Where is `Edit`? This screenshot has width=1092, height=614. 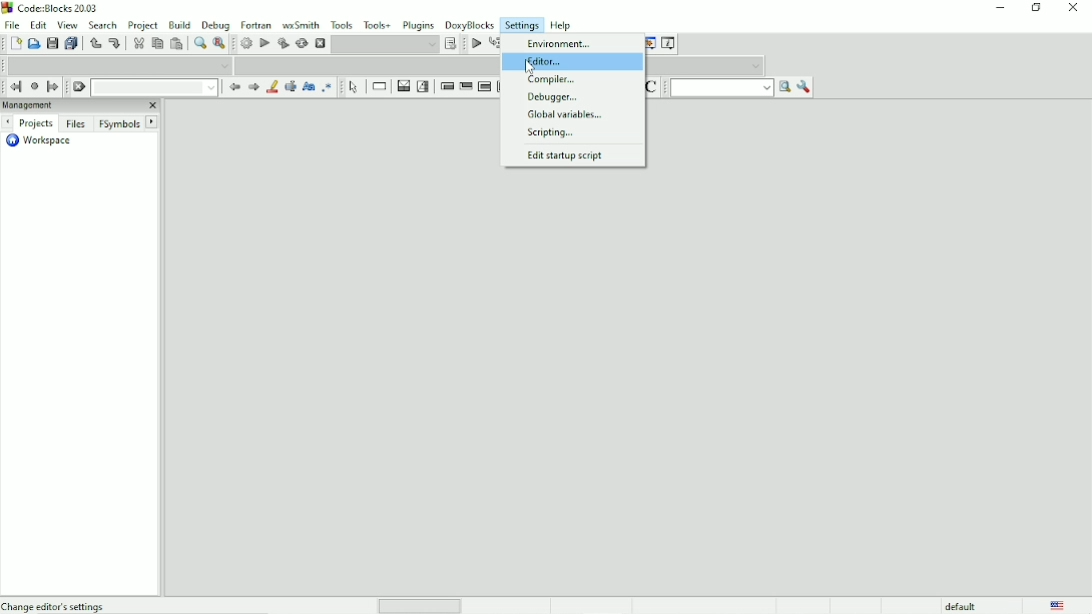
Edit is located at coordinates (38, 25).